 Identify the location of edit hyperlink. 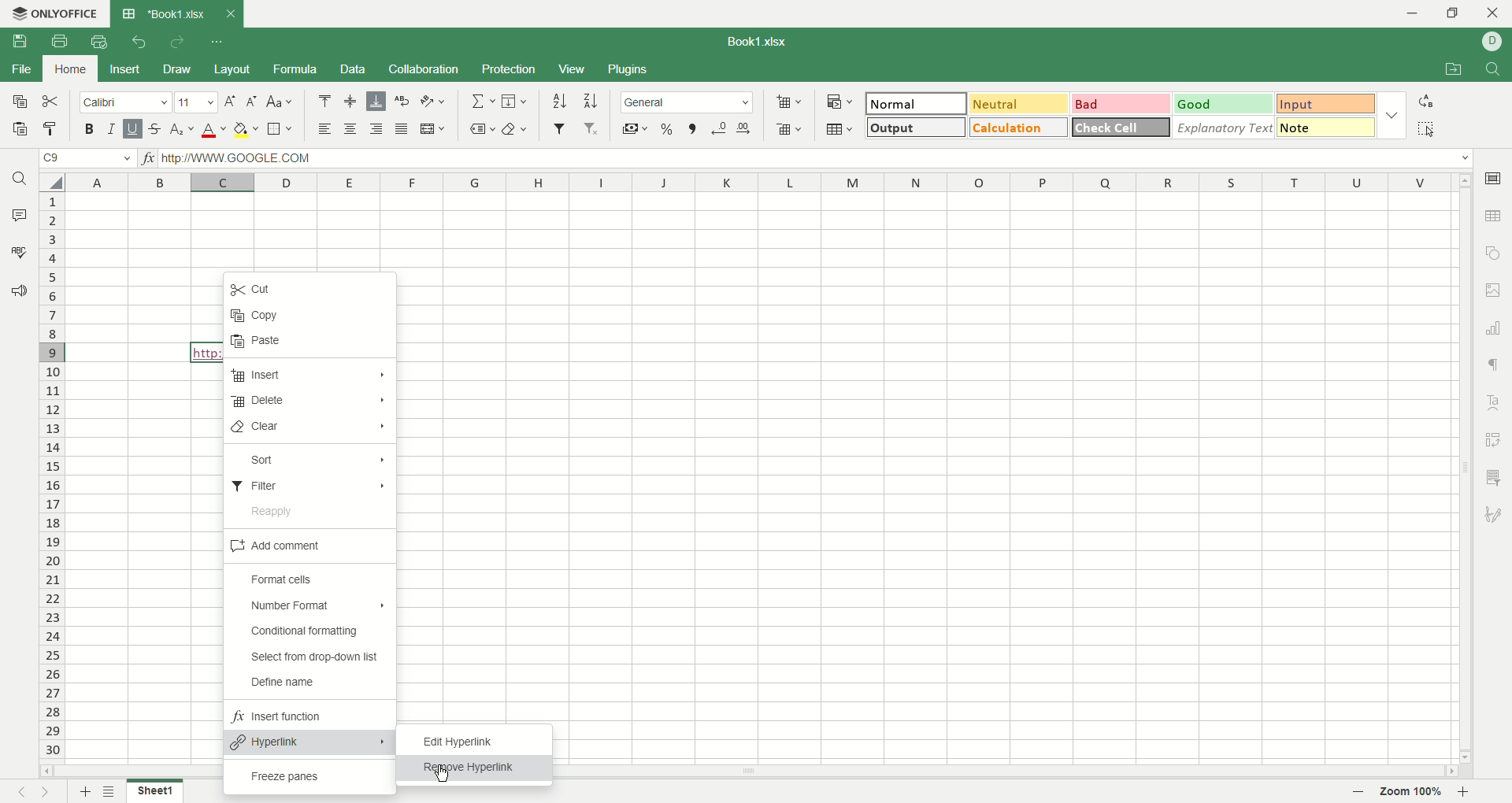
(464, 737).